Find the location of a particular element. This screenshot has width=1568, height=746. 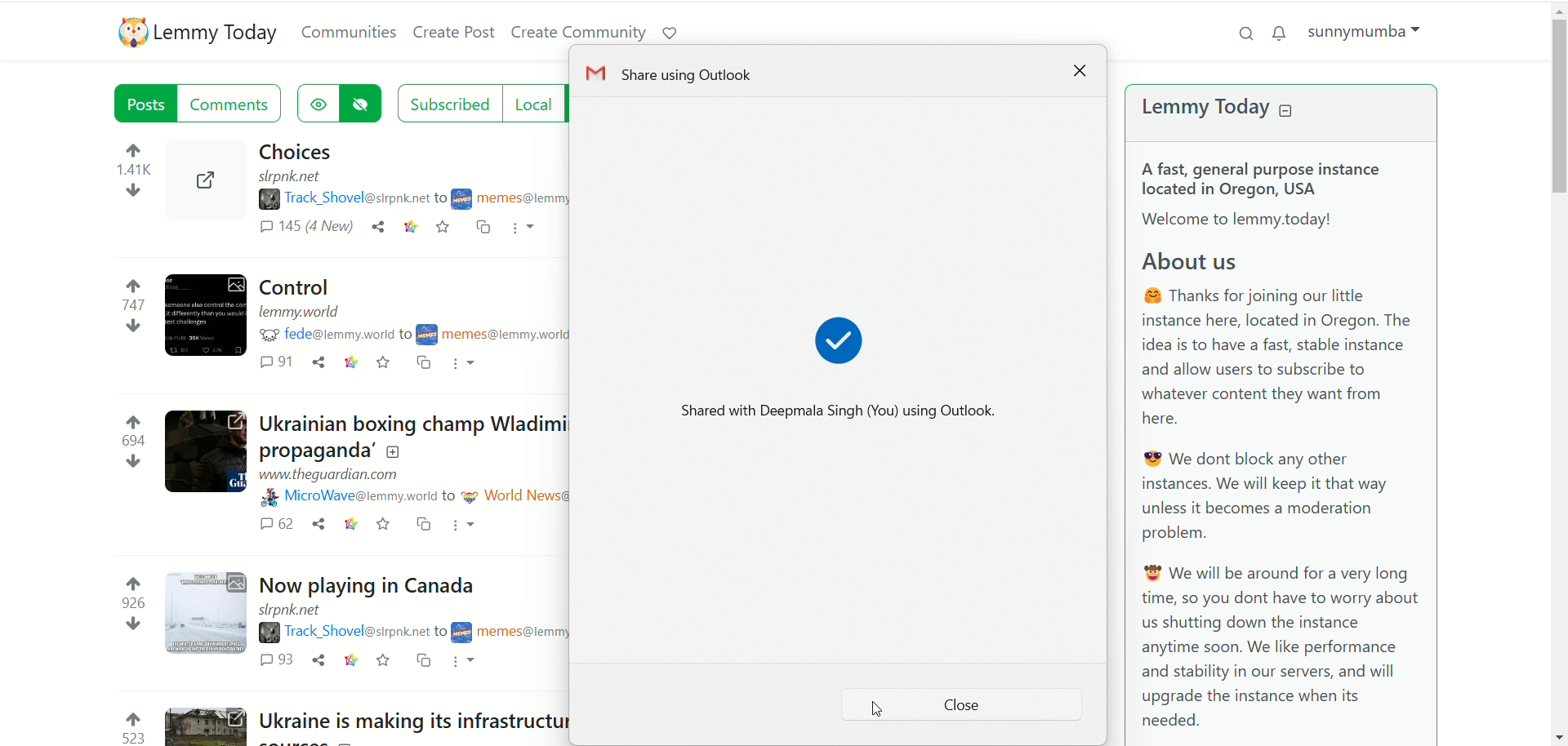

save is located at coordinates (385, 363).